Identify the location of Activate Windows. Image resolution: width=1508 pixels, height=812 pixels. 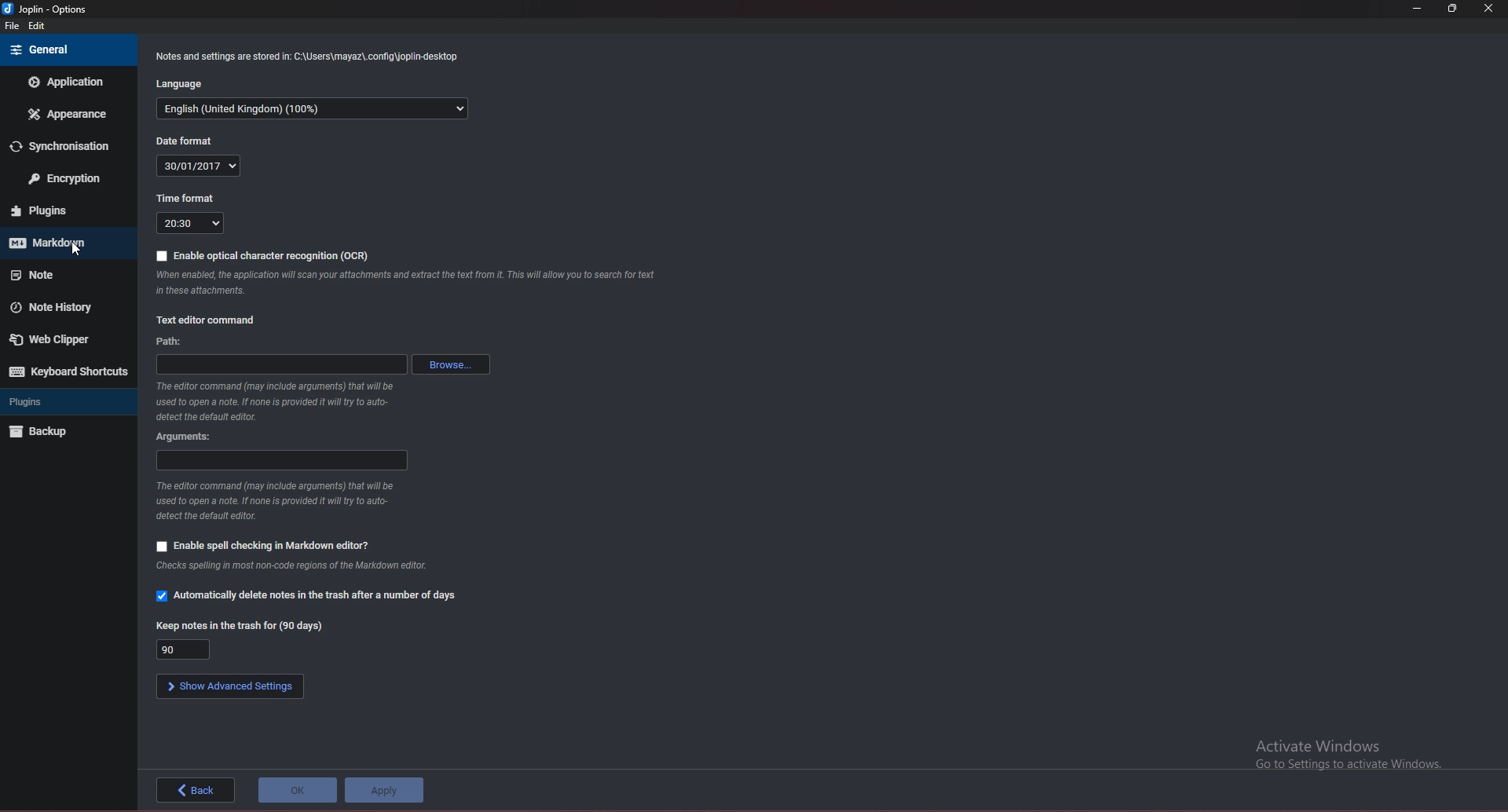
(1345, 753).